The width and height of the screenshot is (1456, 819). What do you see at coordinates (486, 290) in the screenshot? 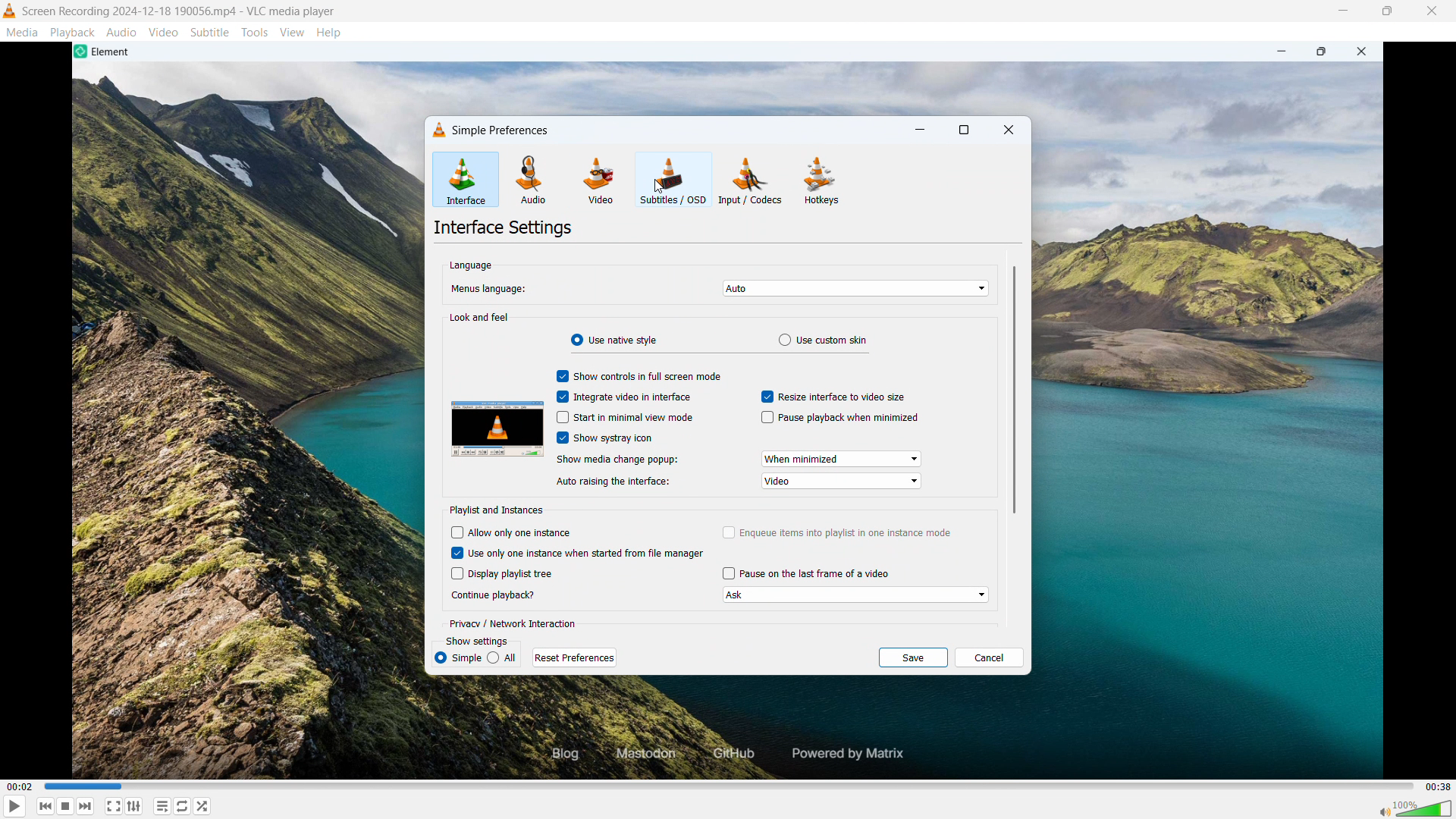
I see `Menus language:` at bounding box center [486, 290].